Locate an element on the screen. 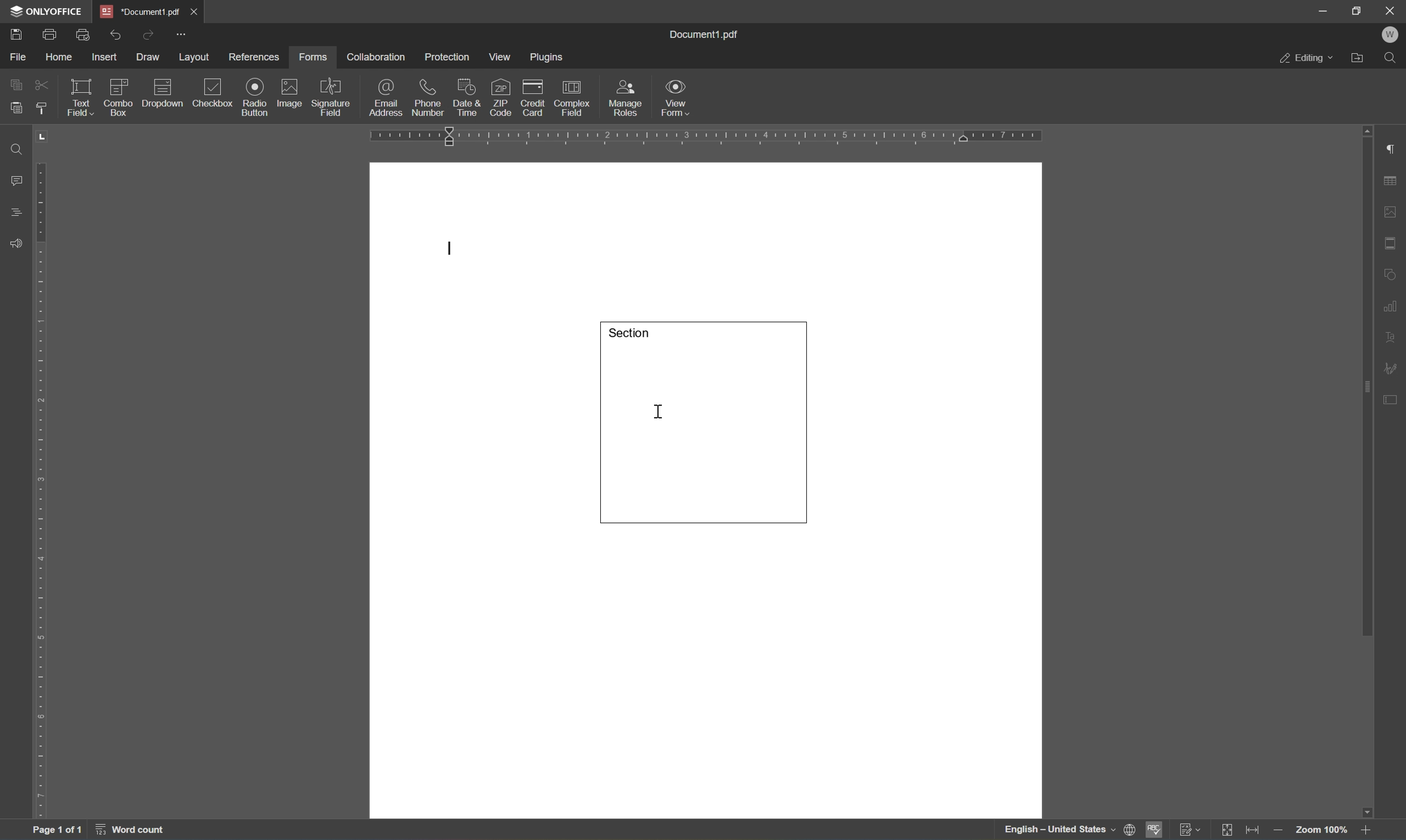 Image resolution: width=1406 pixels, height=840 pixels. image settings is located at coordinates (1391, 214).